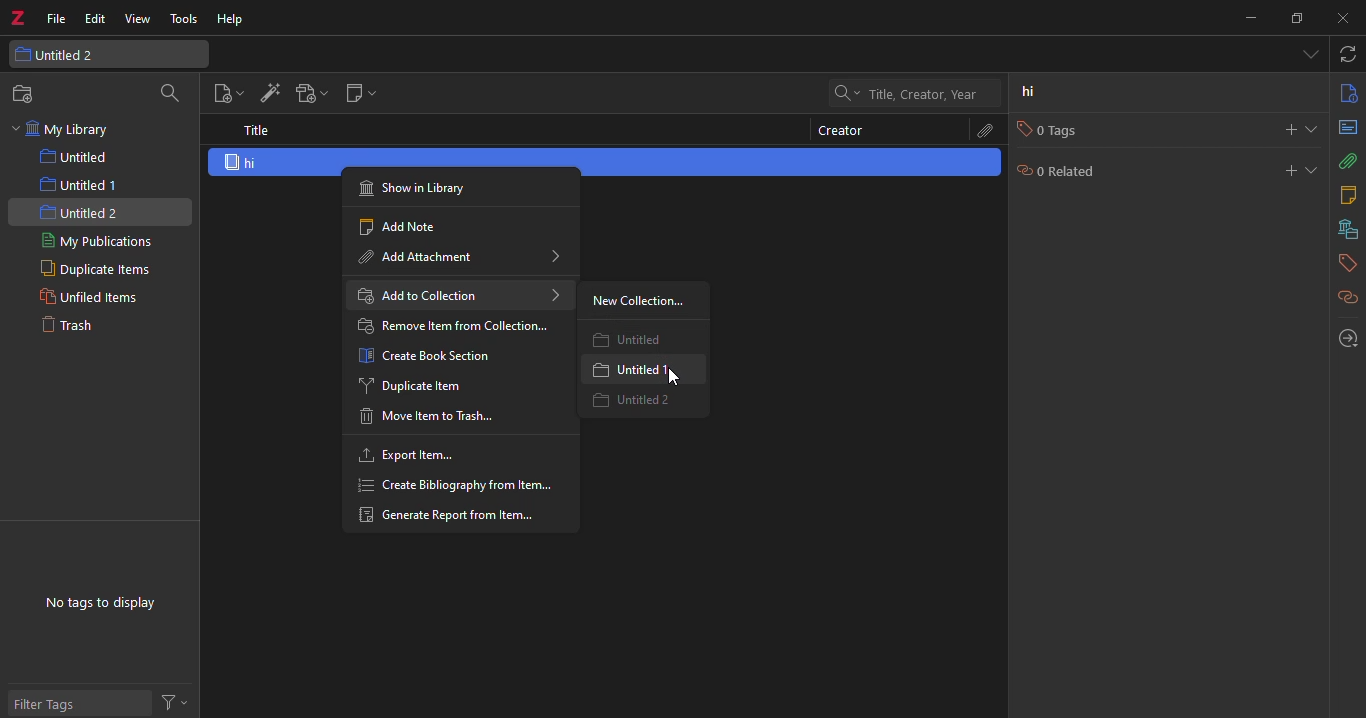 Image resolution: width=1366 pixels, height=718 pixels. Describe the element at coordinates (424, 419) in the screenshot. I see `move item to trash` at that location.